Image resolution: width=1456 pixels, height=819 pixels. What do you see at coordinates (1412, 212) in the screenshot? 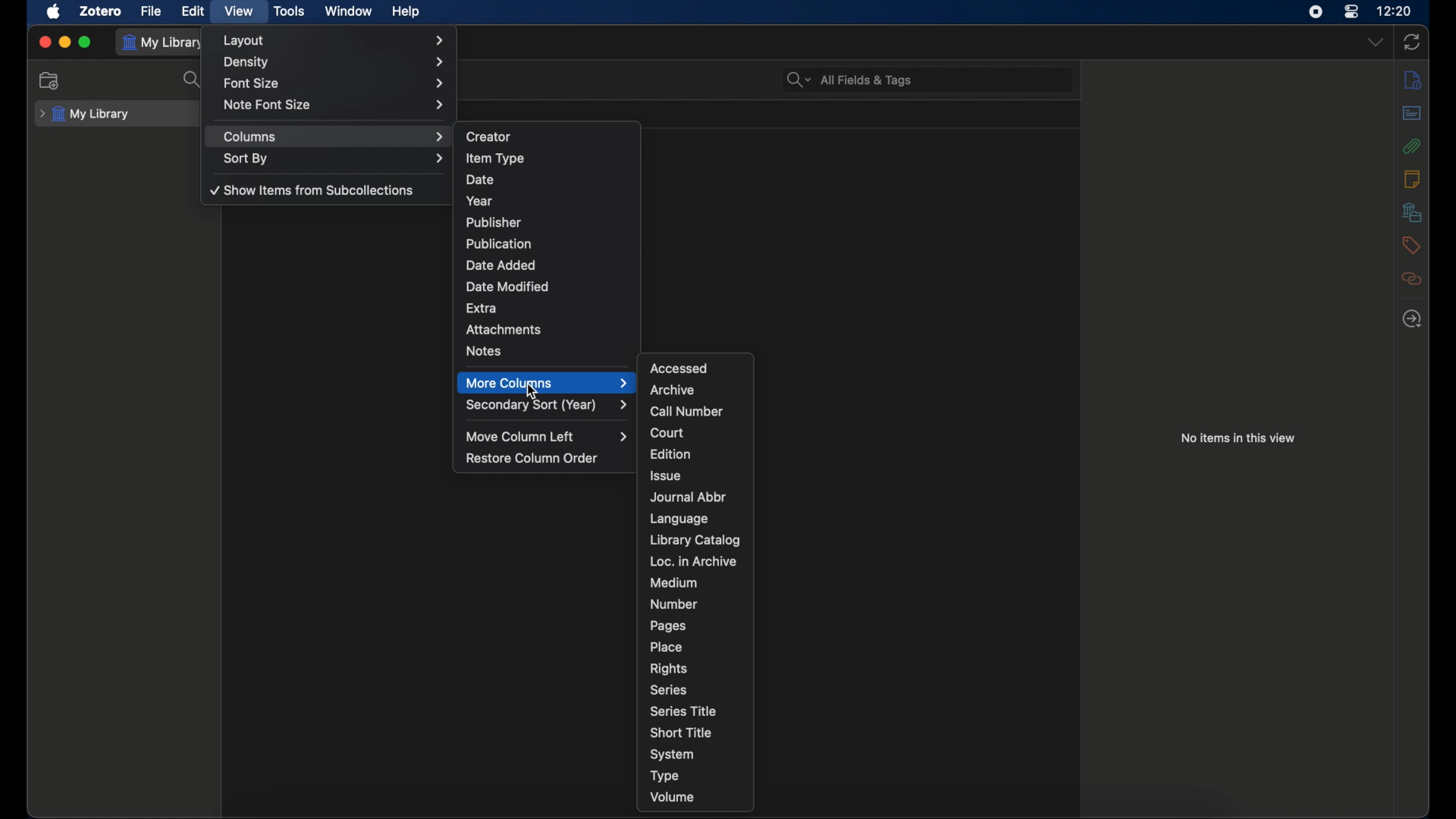
I see `libraries` at bounding box center [1412, 212].